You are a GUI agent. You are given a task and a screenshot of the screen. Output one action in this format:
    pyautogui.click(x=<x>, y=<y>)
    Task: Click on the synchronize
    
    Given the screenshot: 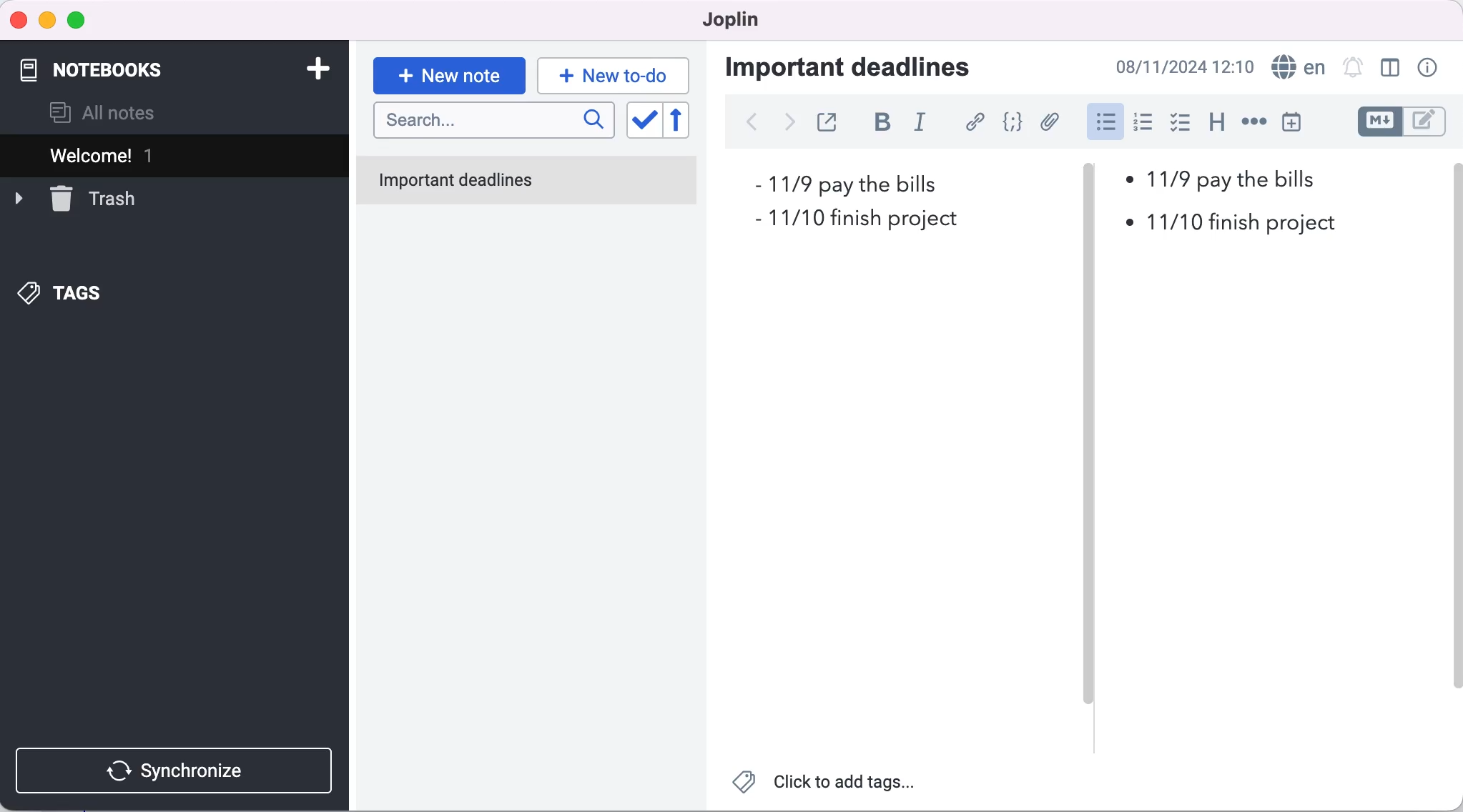 What is the action you would take?
    pyautogui.click(x=179, y=770)
    